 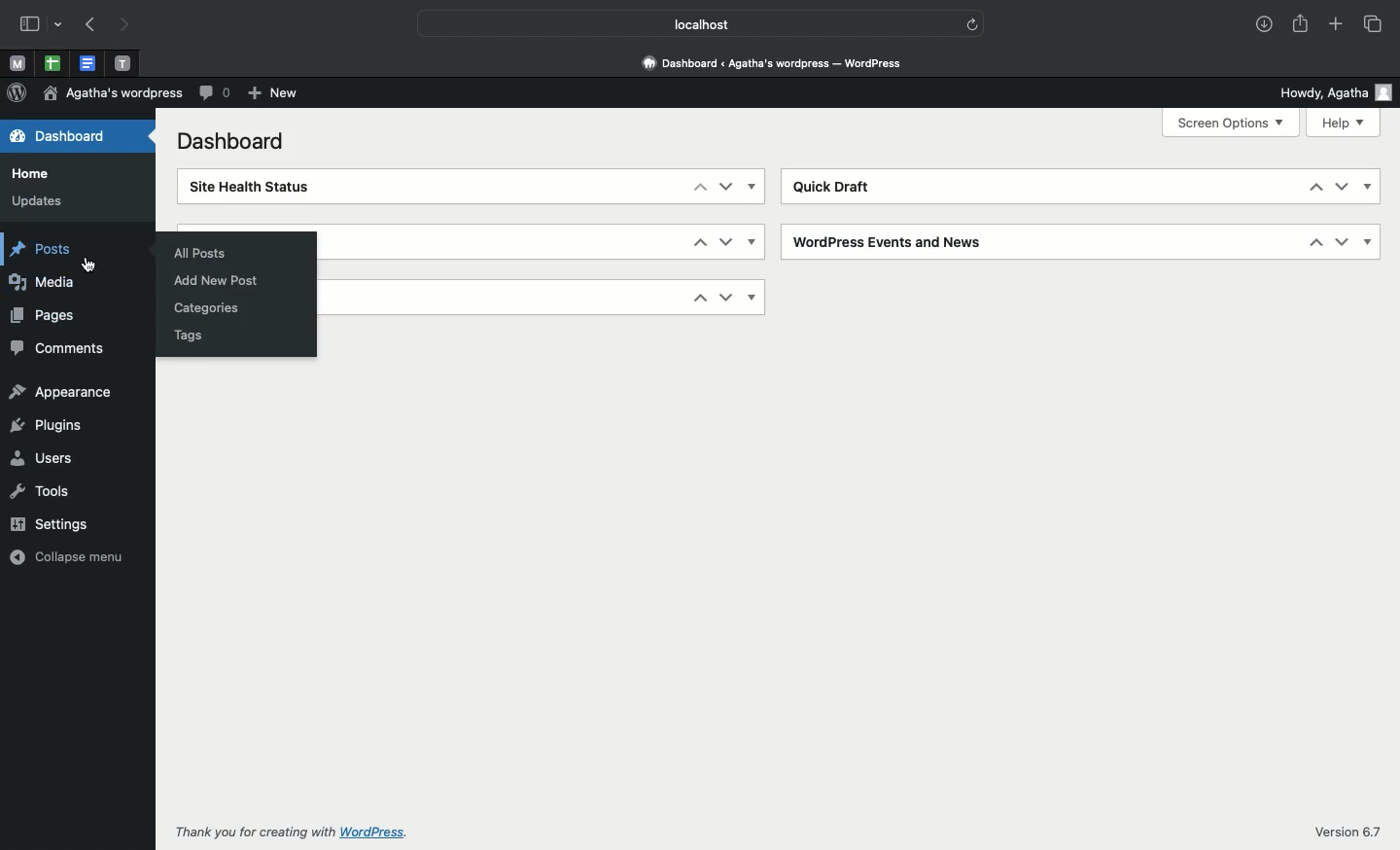 I want to click on Add new tab, so click(x=1337, y=25).